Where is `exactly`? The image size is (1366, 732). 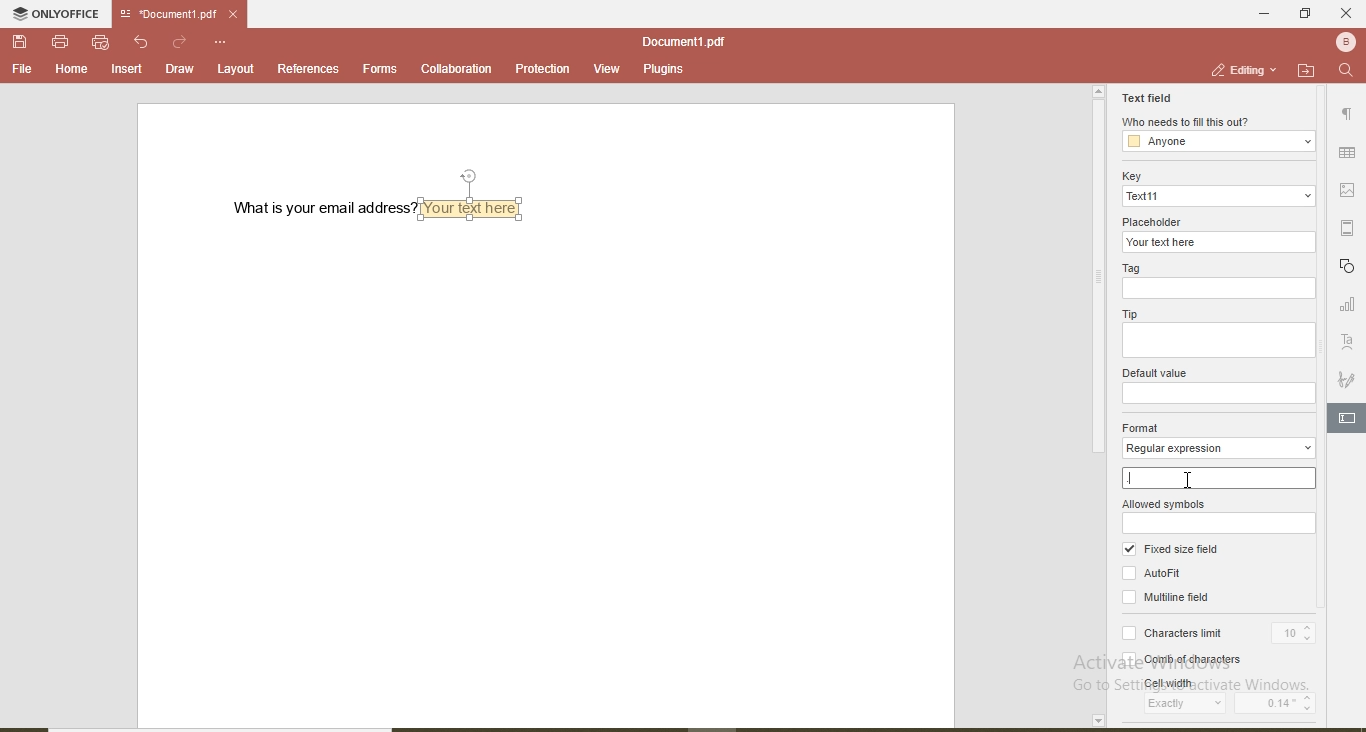 exactly is located at coordinates (1187, 706).